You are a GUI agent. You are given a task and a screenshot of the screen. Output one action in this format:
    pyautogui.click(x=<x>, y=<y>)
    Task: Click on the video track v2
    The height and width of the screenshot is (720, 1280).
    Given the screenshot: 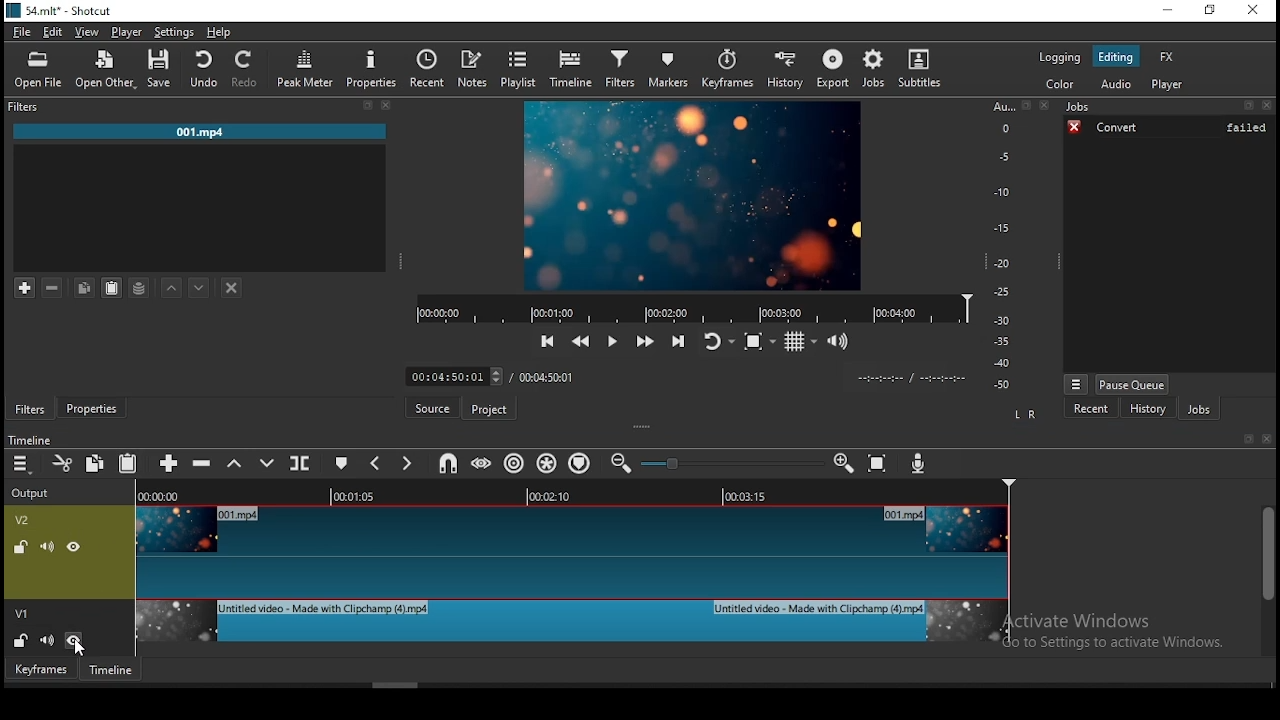 What is the action you would take?
    pyautogui.click(x=573, y=551)
    